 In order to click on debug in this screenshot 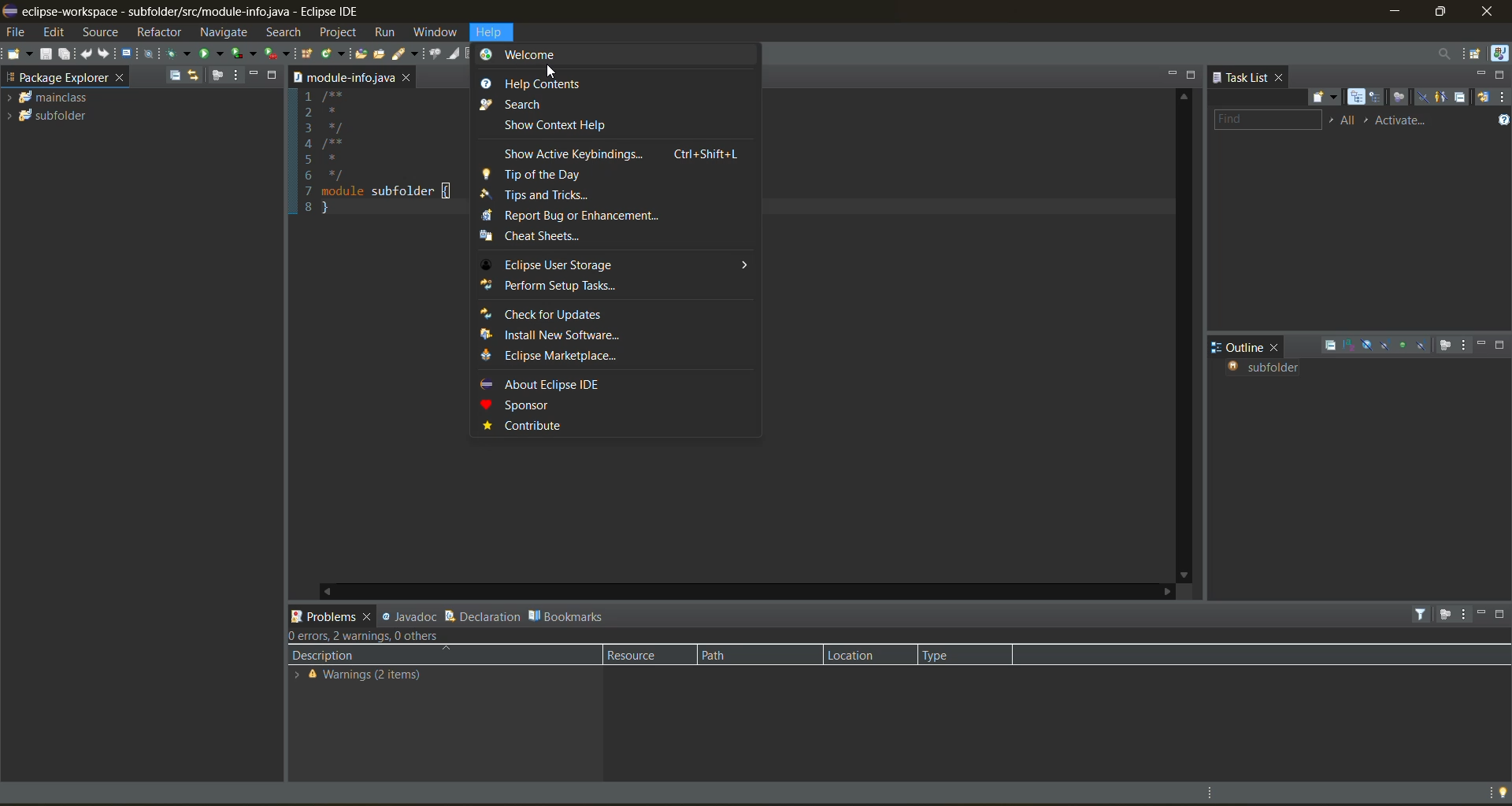, I will do `click(180, 57)`.